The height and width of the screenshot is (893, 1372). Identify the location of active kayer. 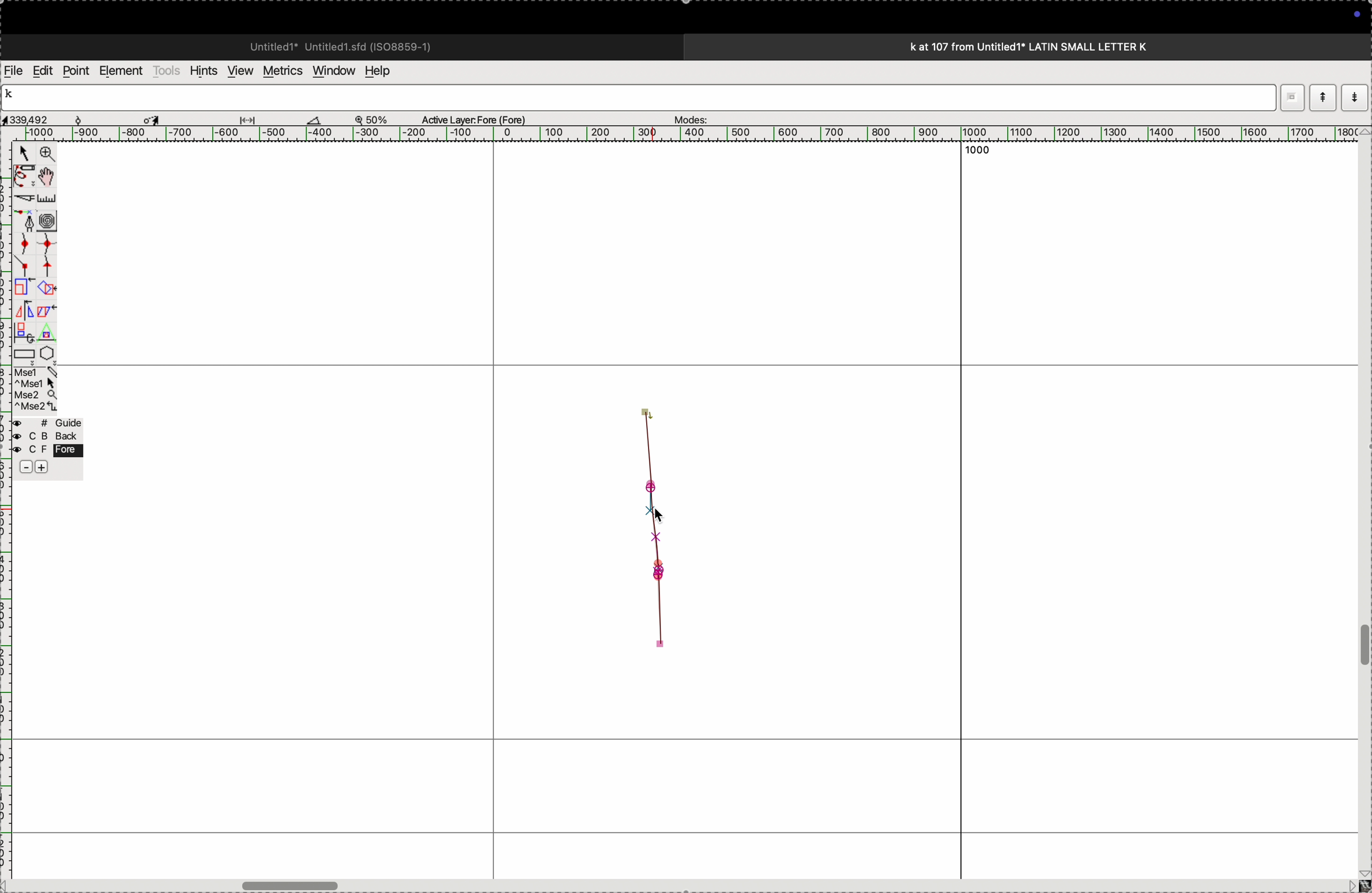
(481, 119).